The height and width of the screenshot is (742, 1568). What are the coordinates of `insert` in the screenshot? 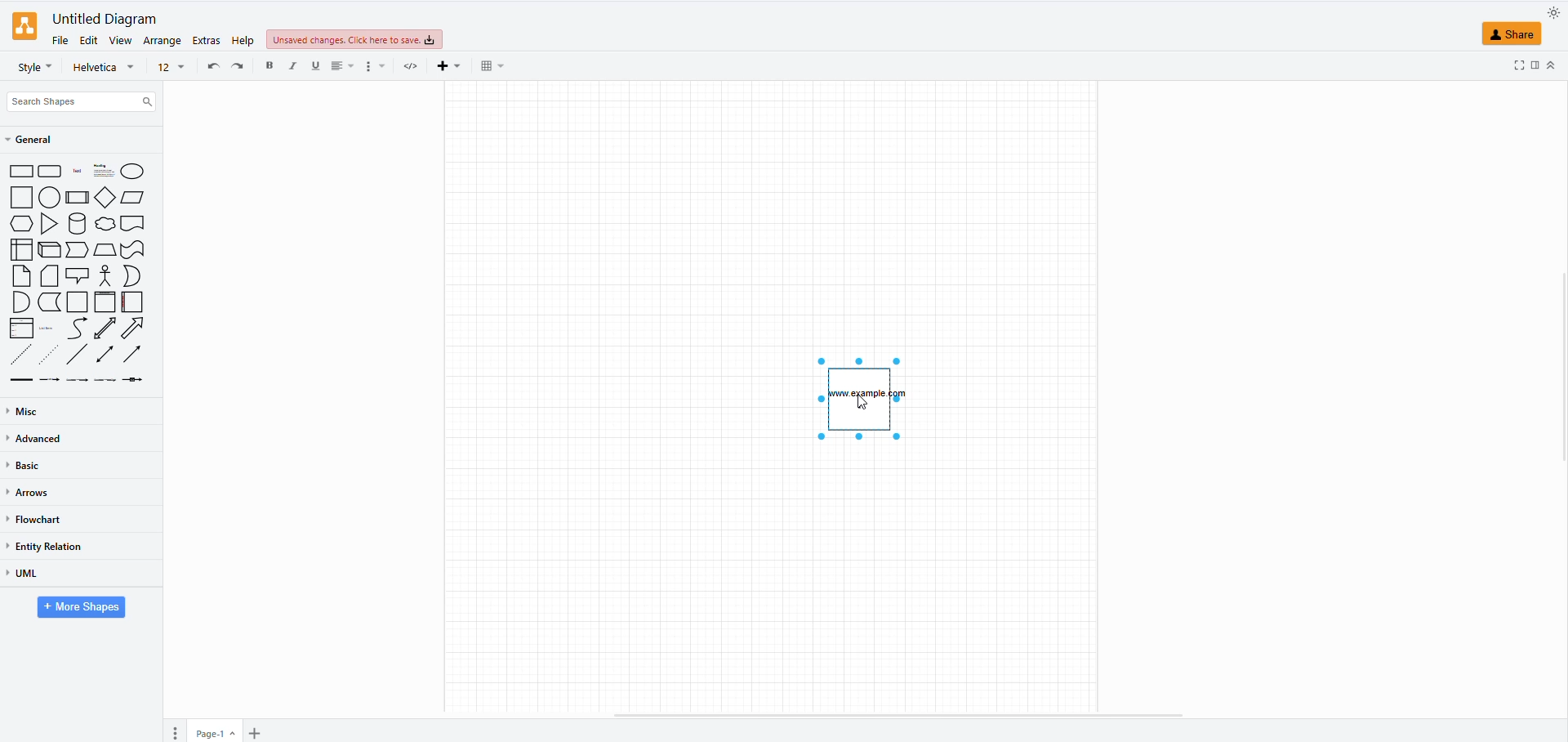 It's located at (453, 65).